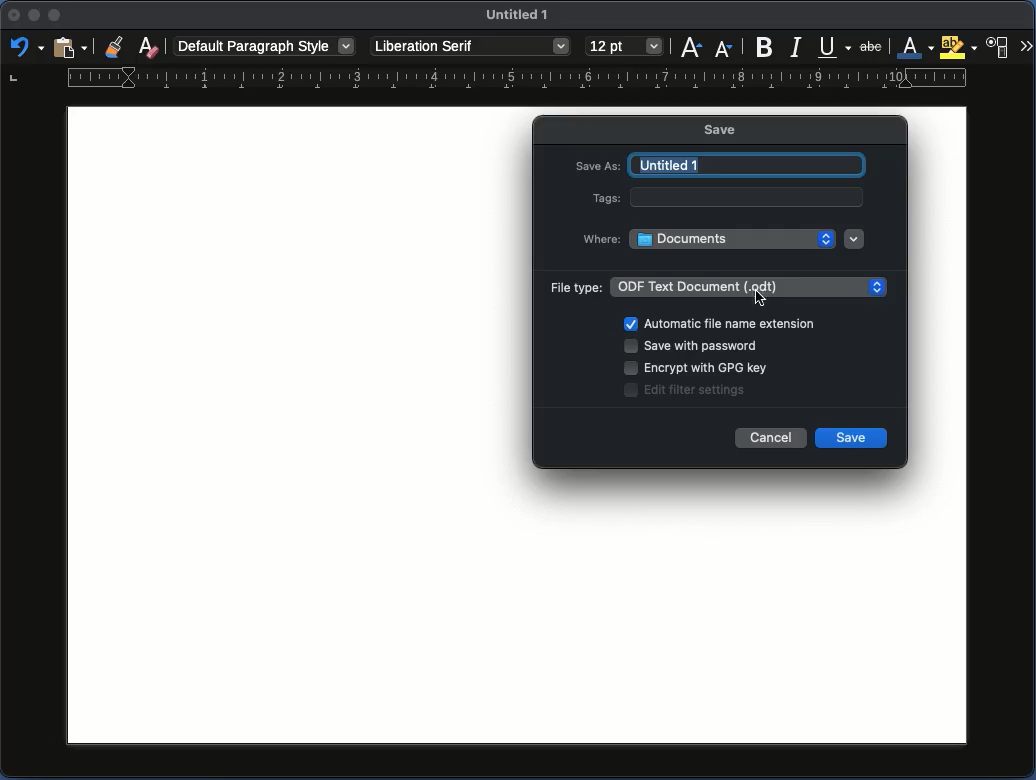  I want to click on Strikethrough, so click(873, 45).